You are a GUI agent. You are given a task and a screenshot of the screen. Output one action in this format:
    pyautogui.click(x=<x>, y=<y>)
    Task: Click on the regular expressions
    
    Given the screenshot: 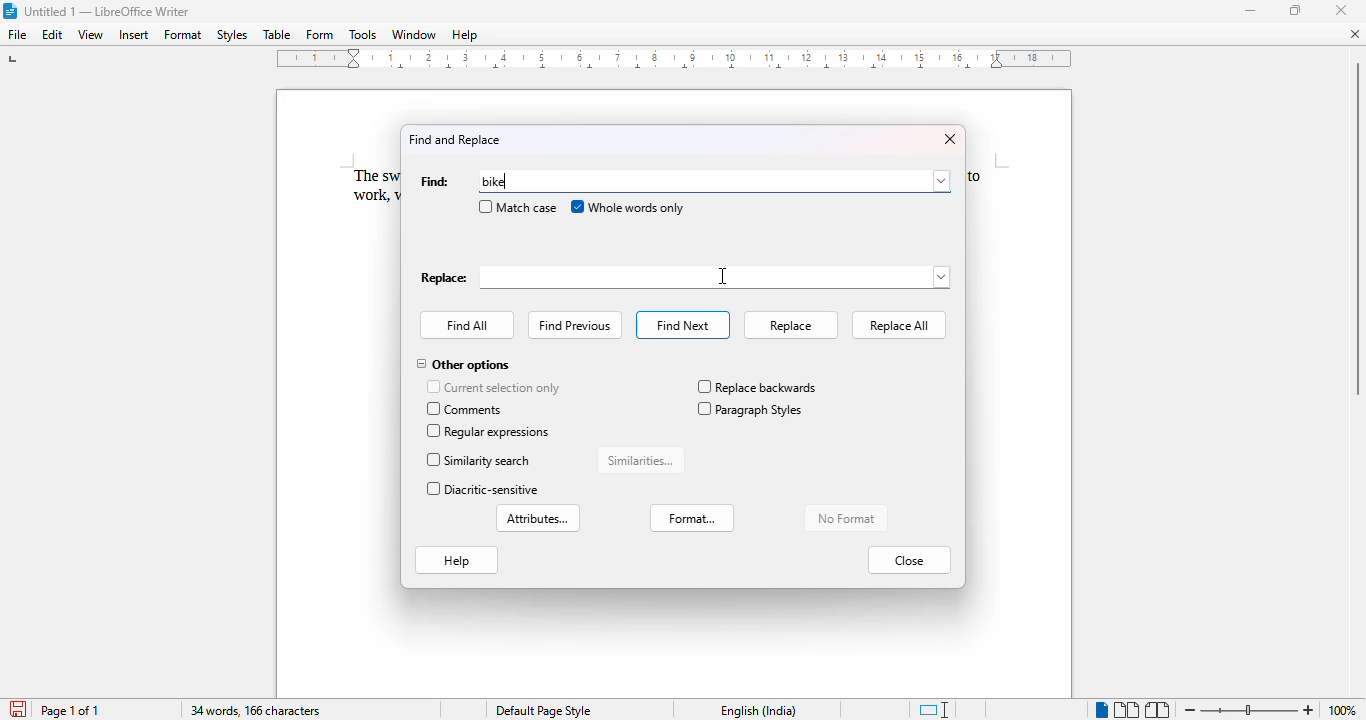 What is the action you would take?
    pyautogui.click(x=490, y=431)
    